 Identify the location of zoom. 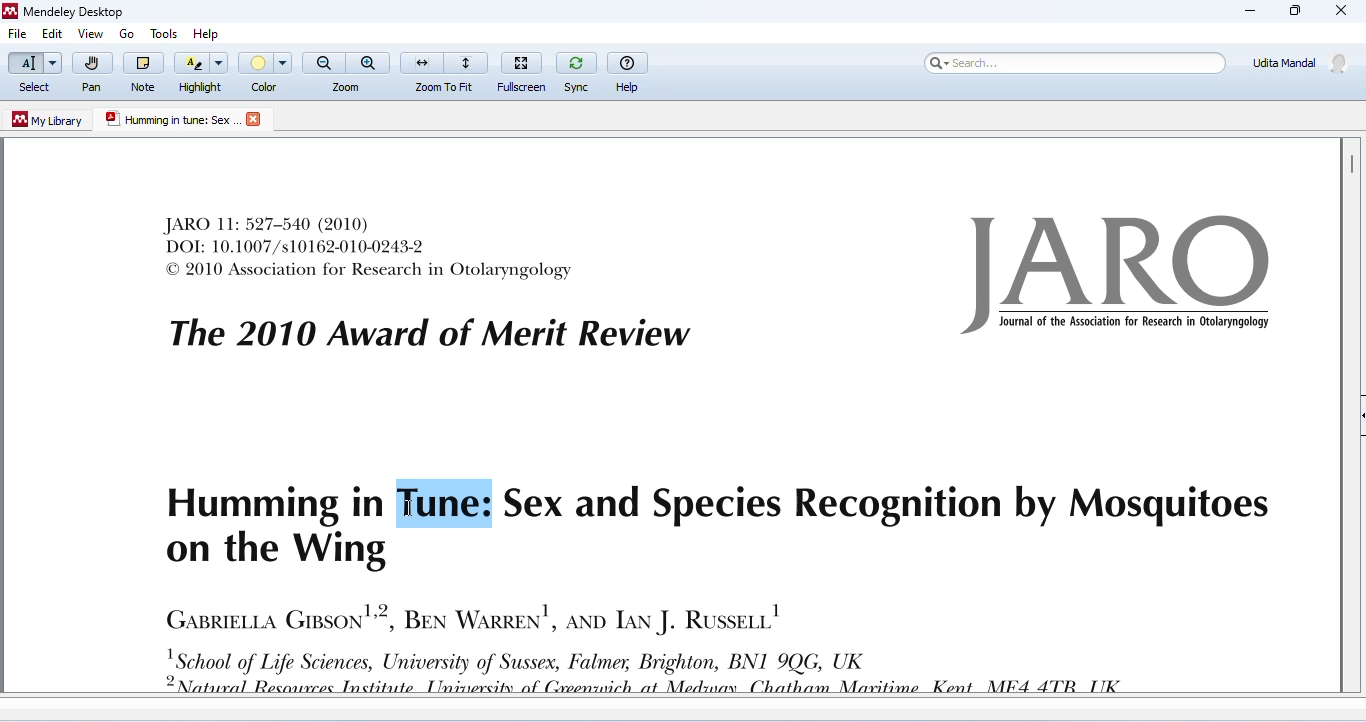
(347, 71).